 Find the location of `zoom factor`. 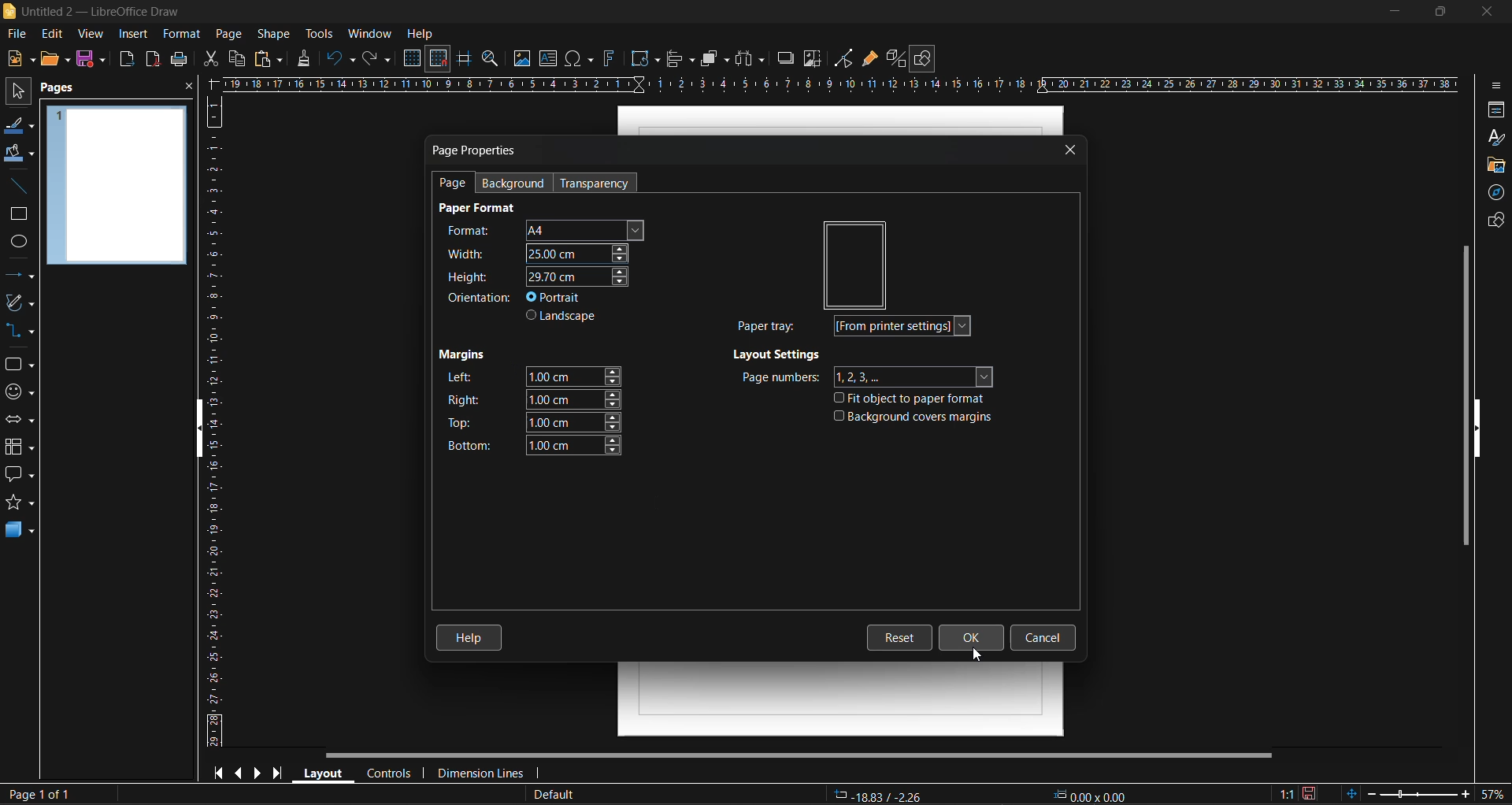

zoom factor is located at coordinates (1492, 795).